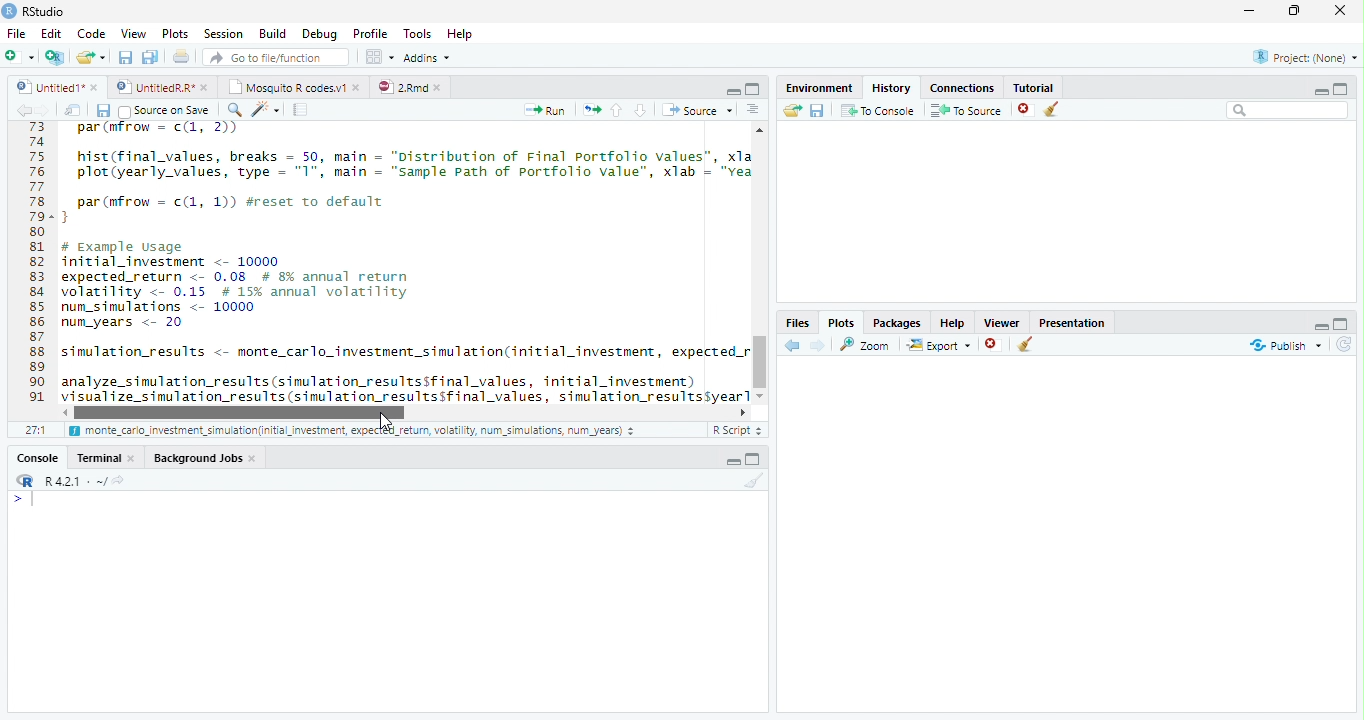 The height and width of the screenshot is (720, 1364). What do you see at coordinates (1319, 324) in the screenshot?
I see `Hide` at bounding box center [1319, 324].